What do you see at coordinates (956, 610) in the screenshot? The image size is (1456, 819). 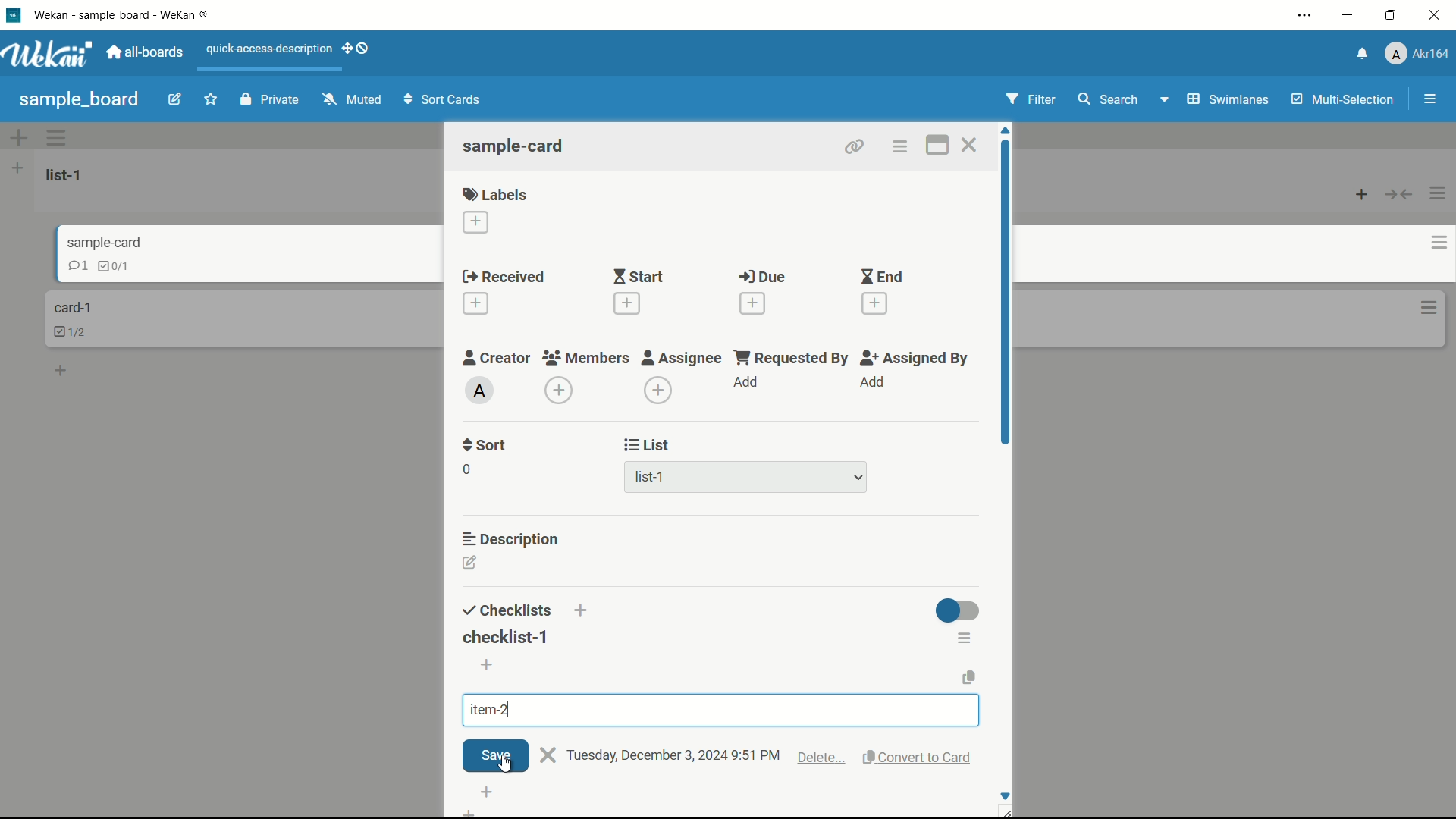 I see `toggle button` at bounding box center [956, 610].